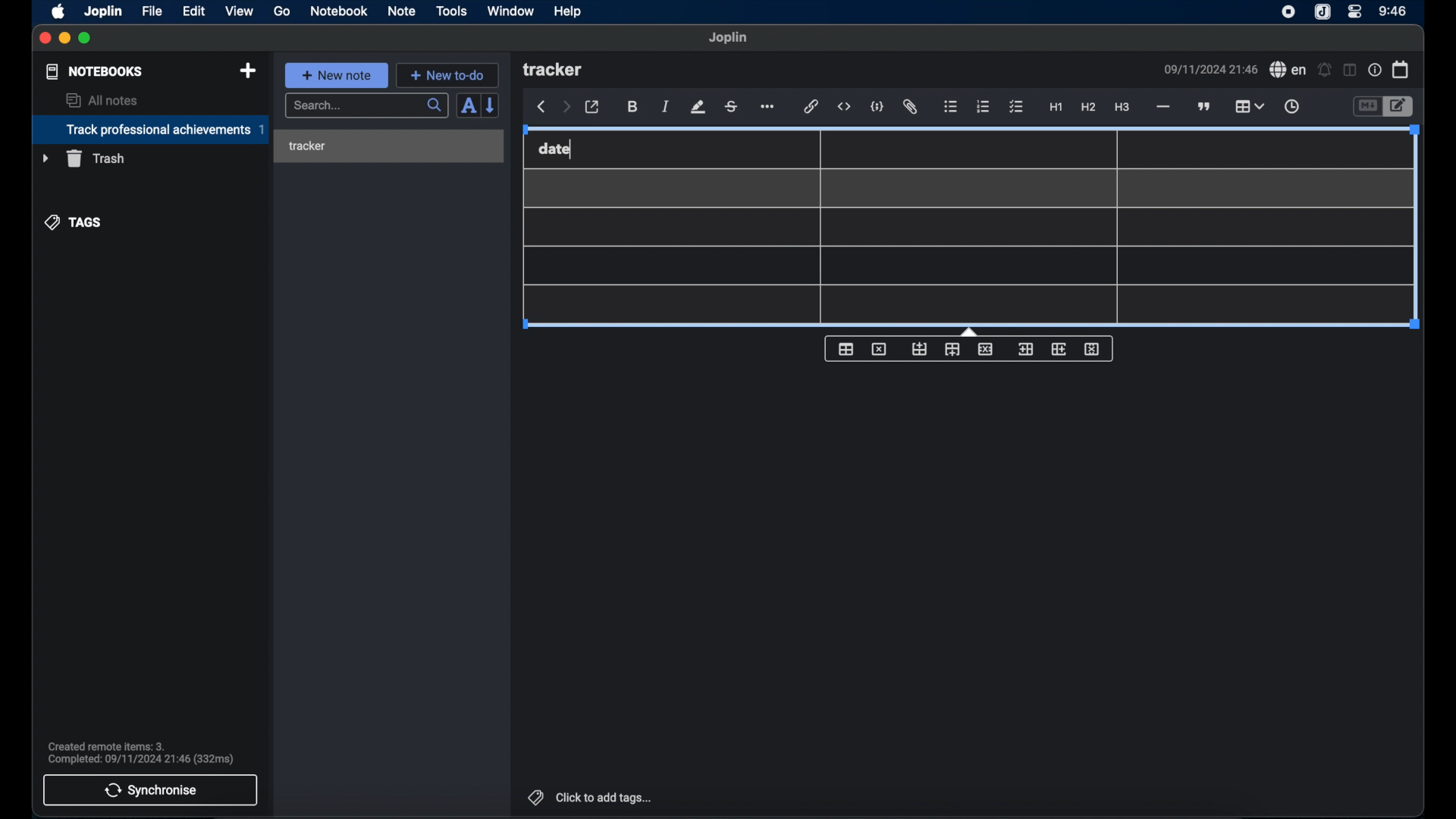  I want to click on tracker, so click(307, 146).